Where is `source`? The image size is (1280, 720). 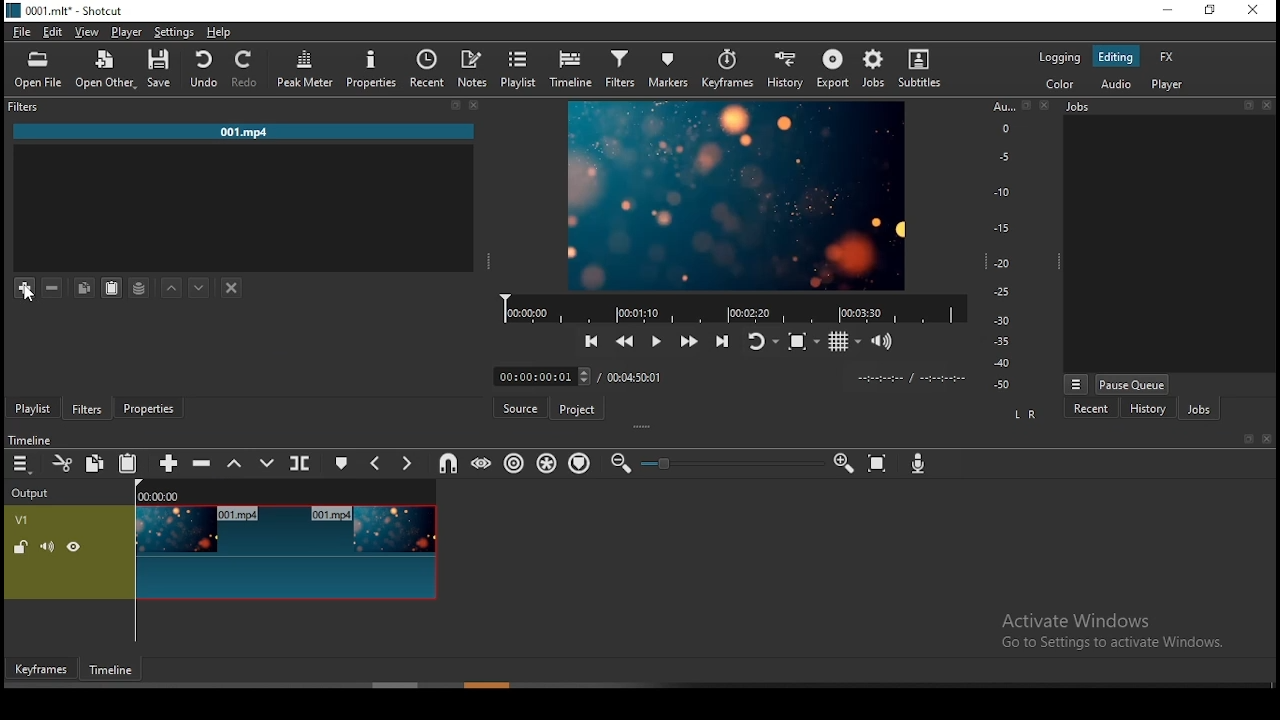 source is located at coordinates (519, 406).